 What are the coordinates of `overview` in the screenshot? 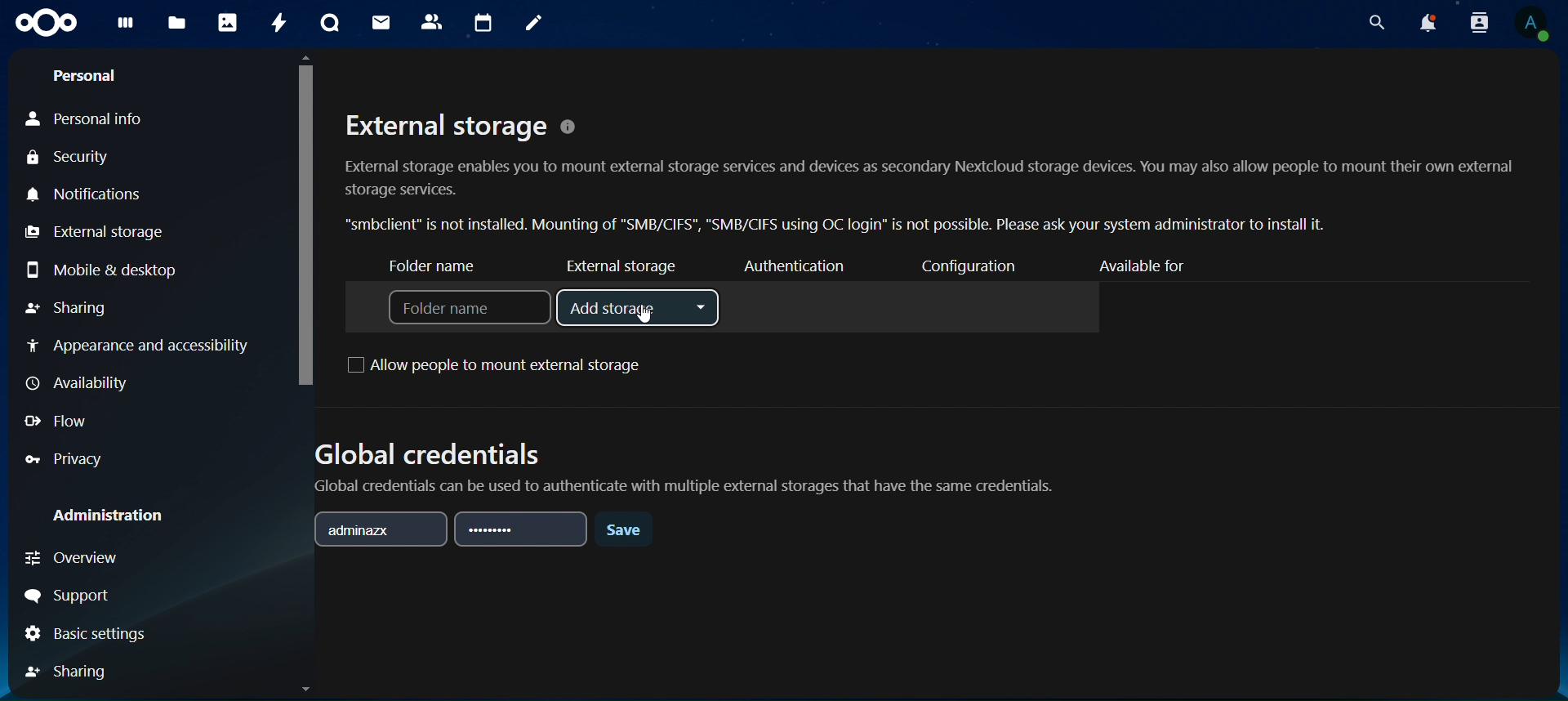 It's located at (78, 560).